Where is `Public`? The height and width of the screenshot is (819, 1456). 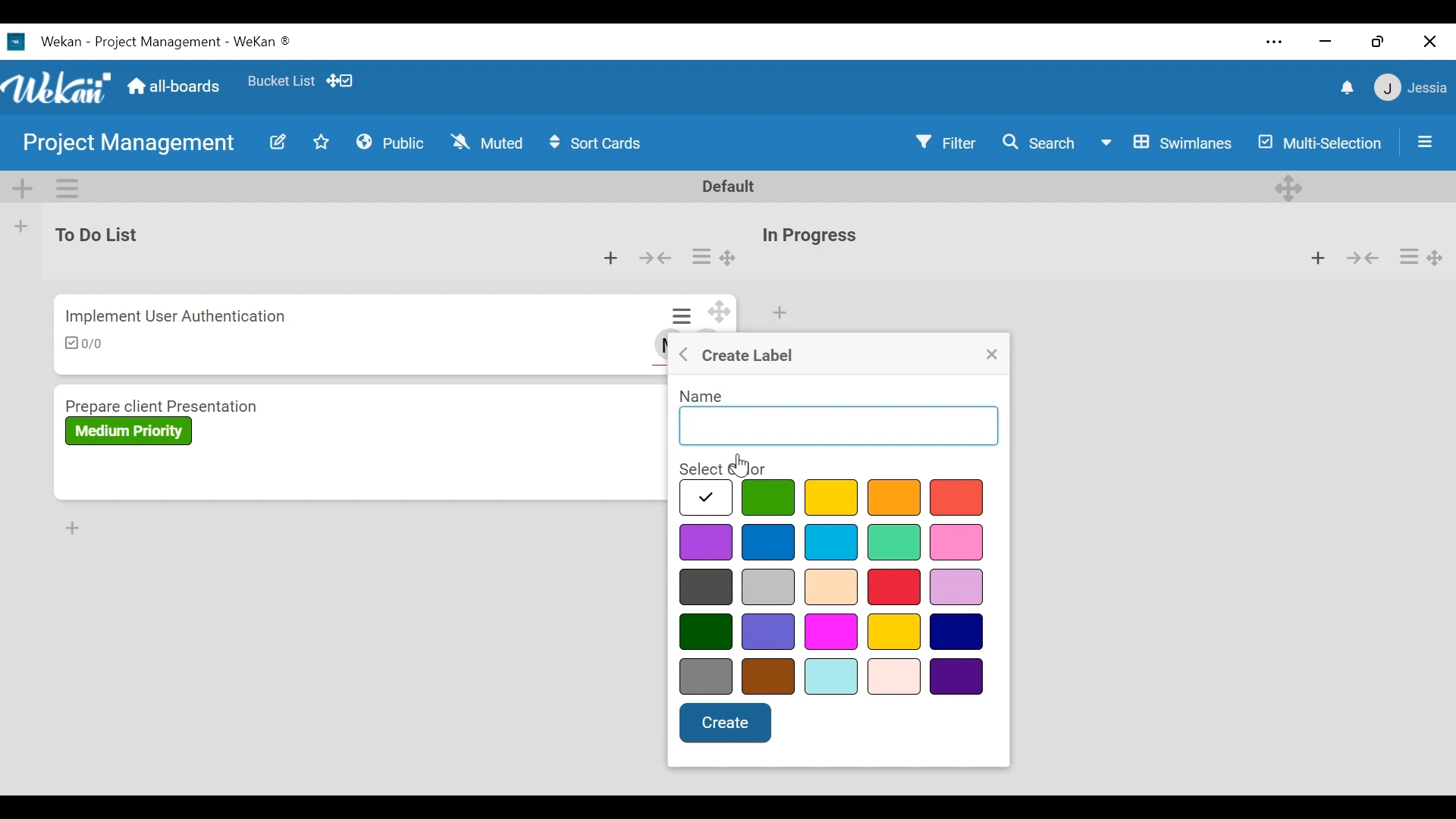 Public is located at coordinates (391, 141).